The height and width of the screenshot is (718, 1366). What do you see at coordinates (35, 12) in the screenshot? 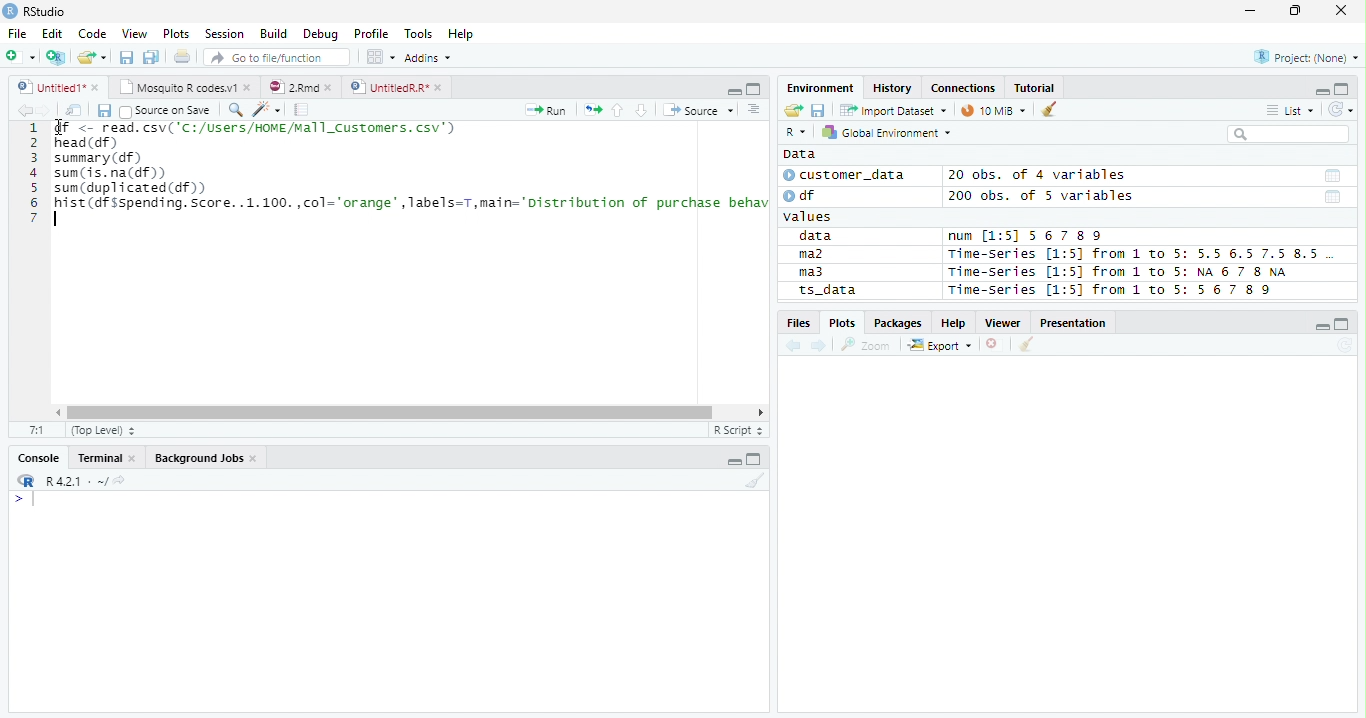
I see `RStudio` at bounding box center [35, 12].